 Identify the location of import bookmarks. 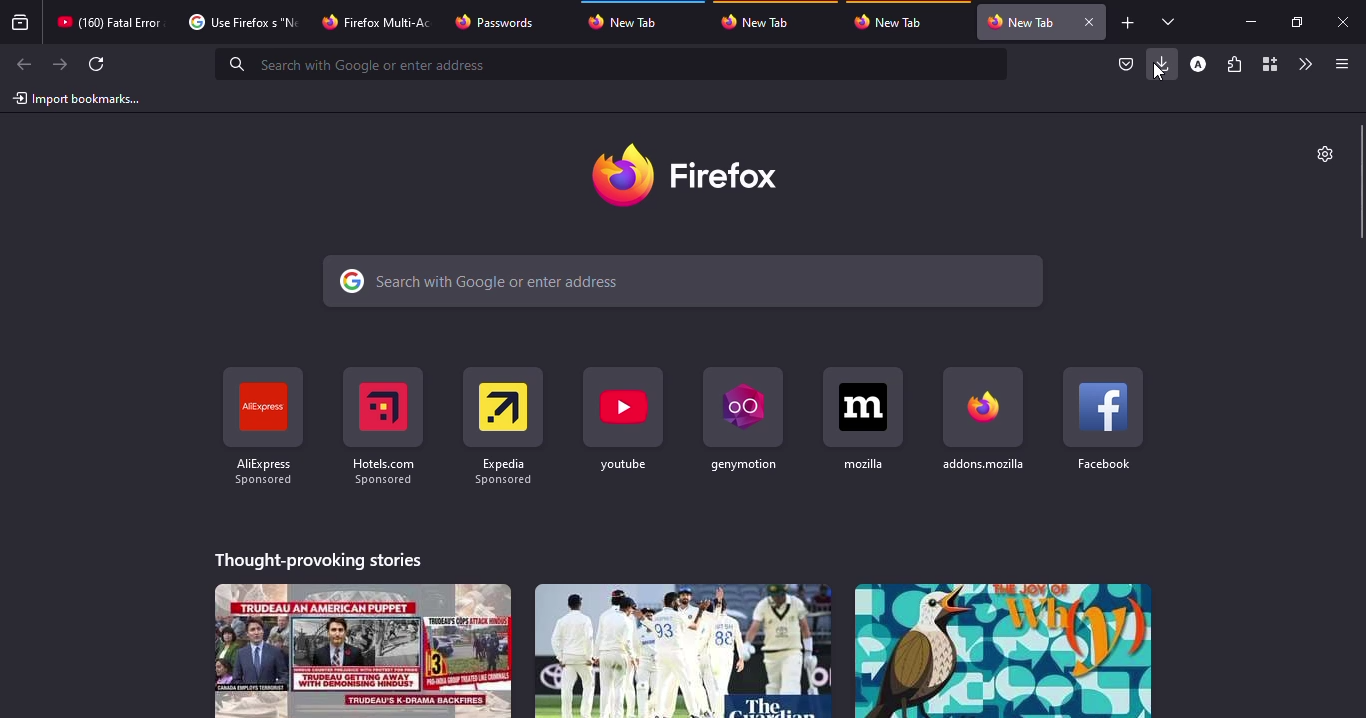
(78, 98).